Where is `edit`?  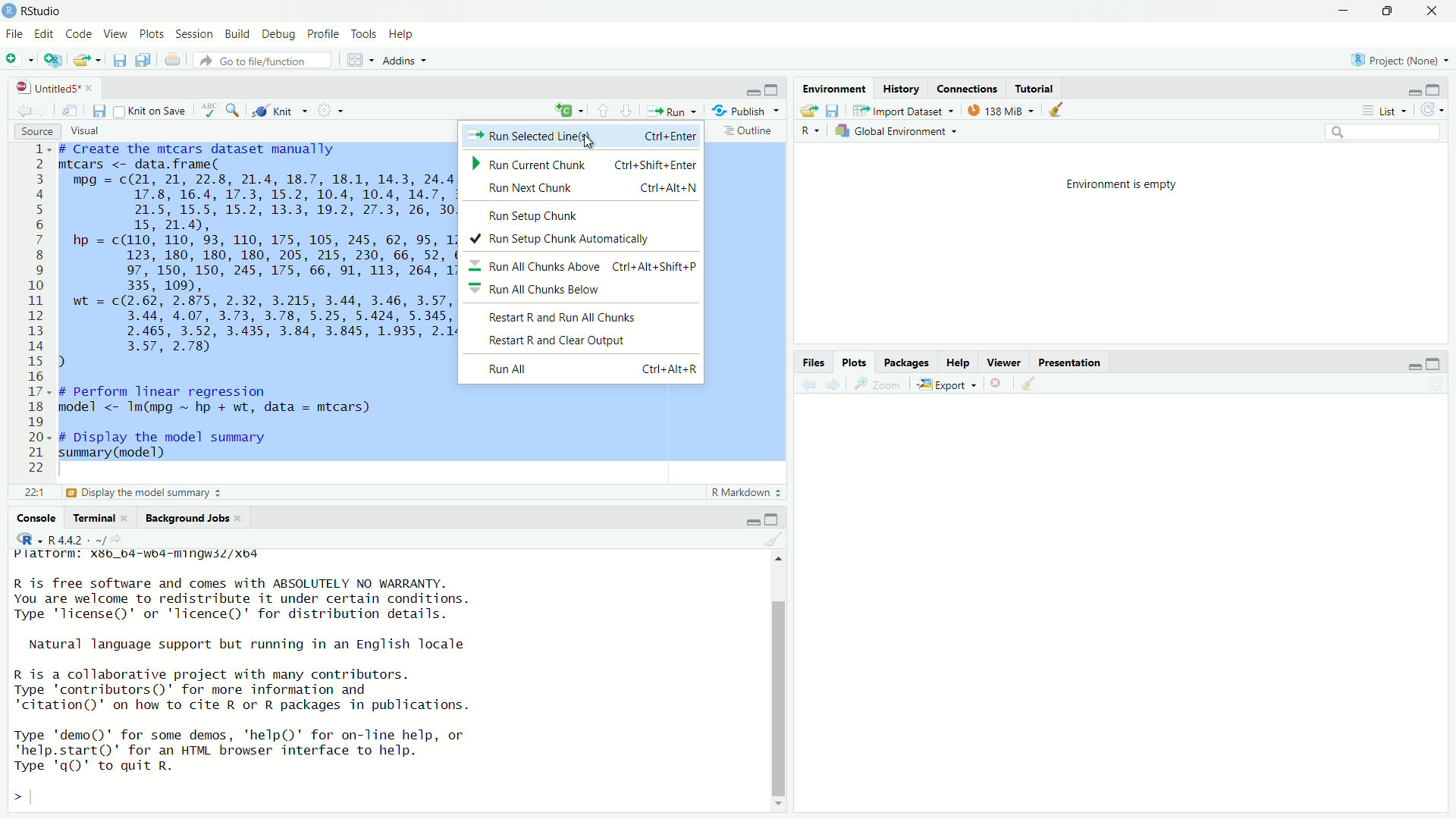 edit is located at coordinates (43, 34).